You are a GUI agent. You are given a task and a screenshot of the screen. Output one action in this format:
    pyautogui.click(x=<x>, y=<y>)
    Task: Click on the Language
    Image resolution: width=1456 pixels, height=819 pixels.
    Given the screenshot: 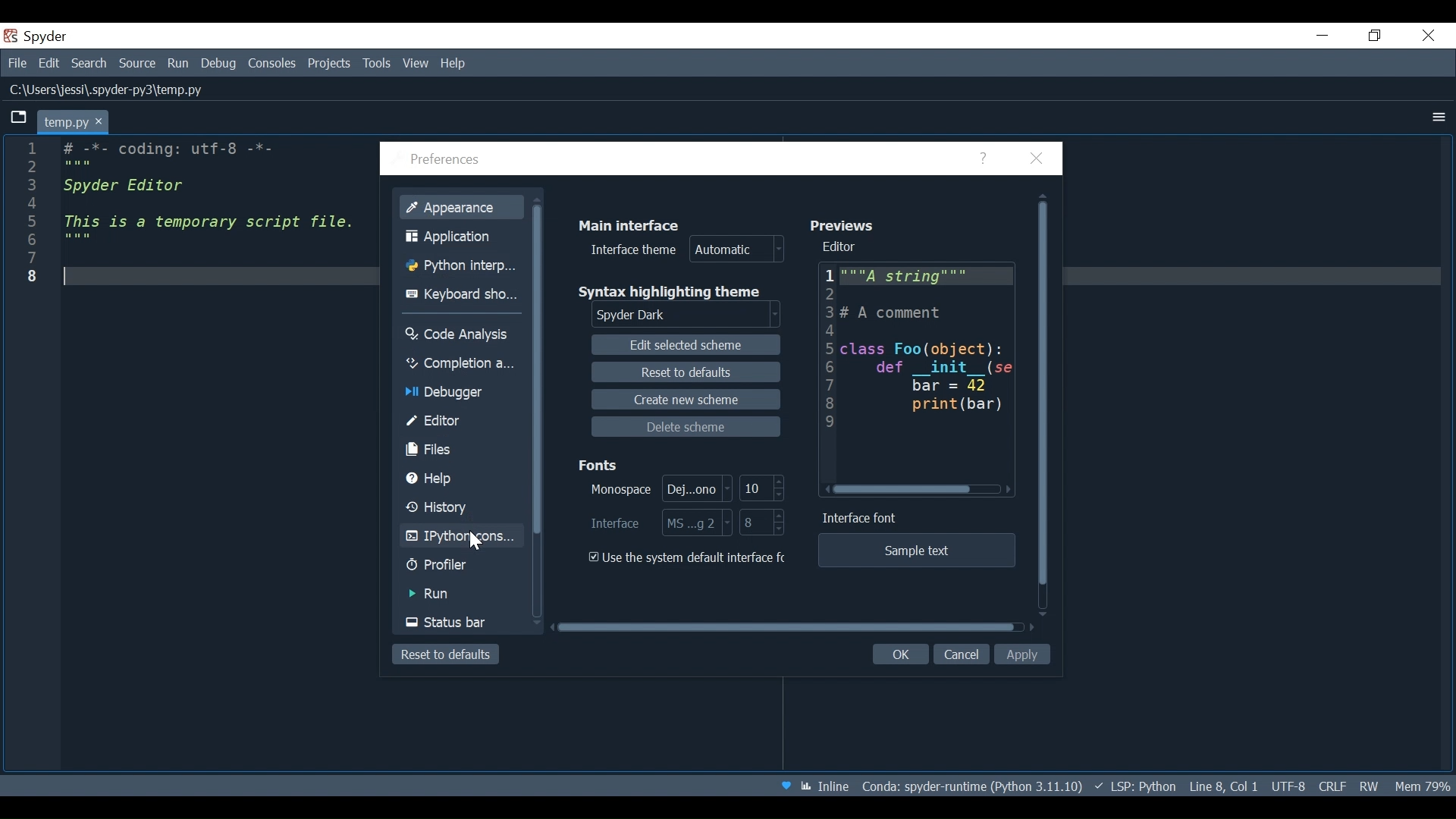 What is the action you would take?
    pyautogui.click(x=1180, y=787)
    